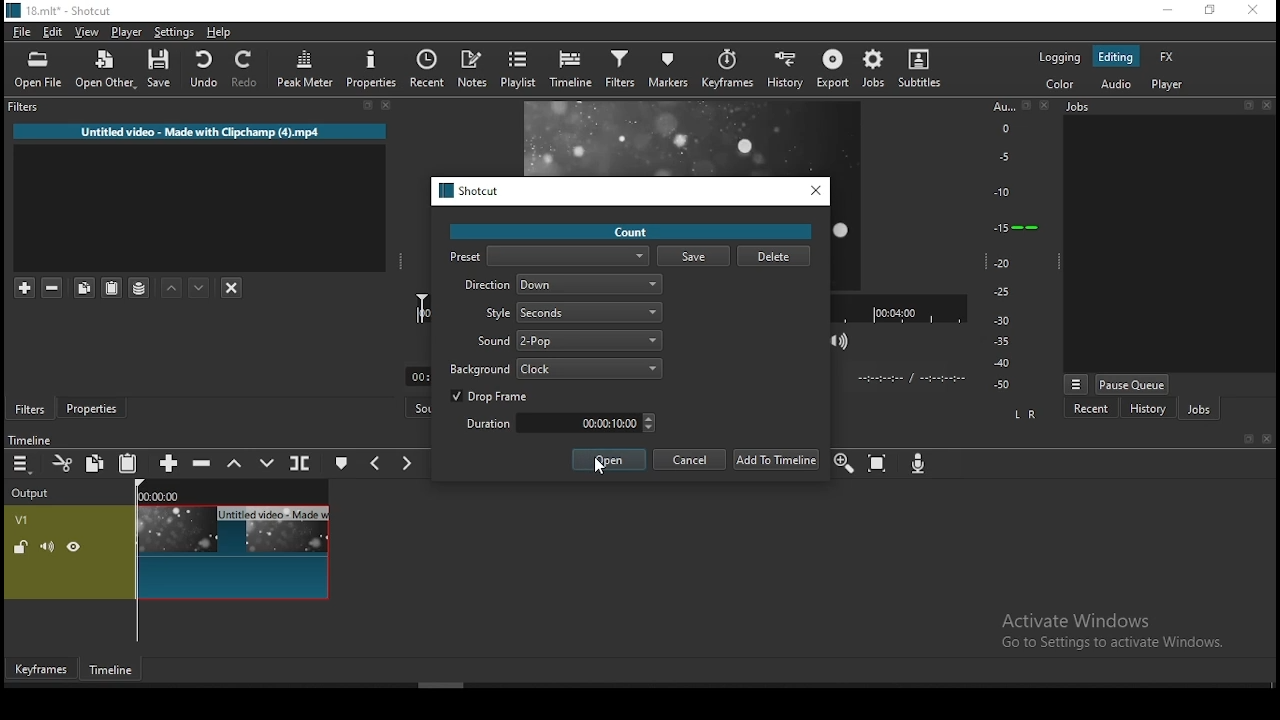  Describe the element at coordinates (299, 462) in the screenshot. I see `split at playhead` at that location.